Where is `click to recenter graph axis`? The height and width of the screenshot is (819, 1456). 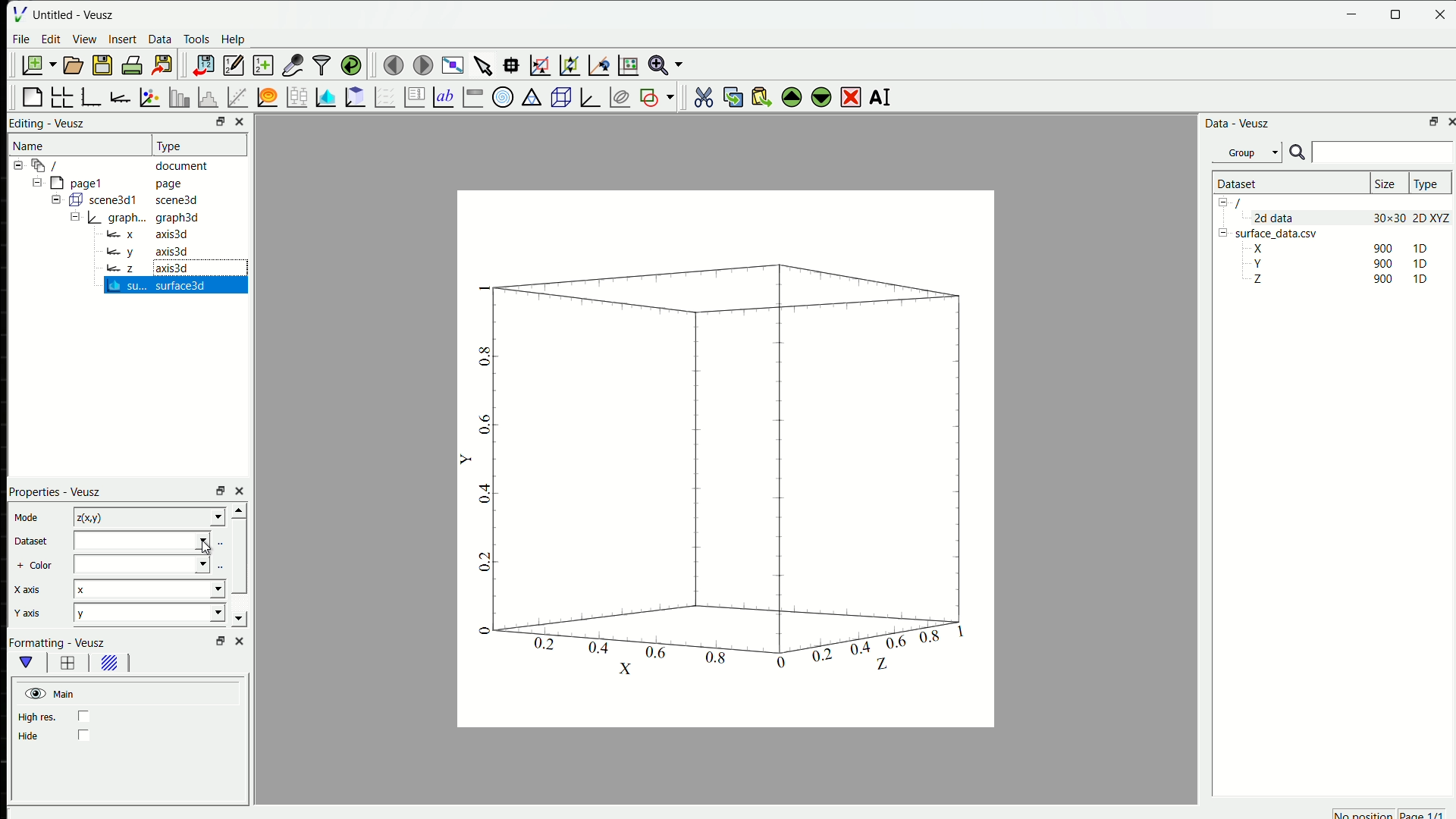 click to recenter graph axis is located at coordinates (600, 65).